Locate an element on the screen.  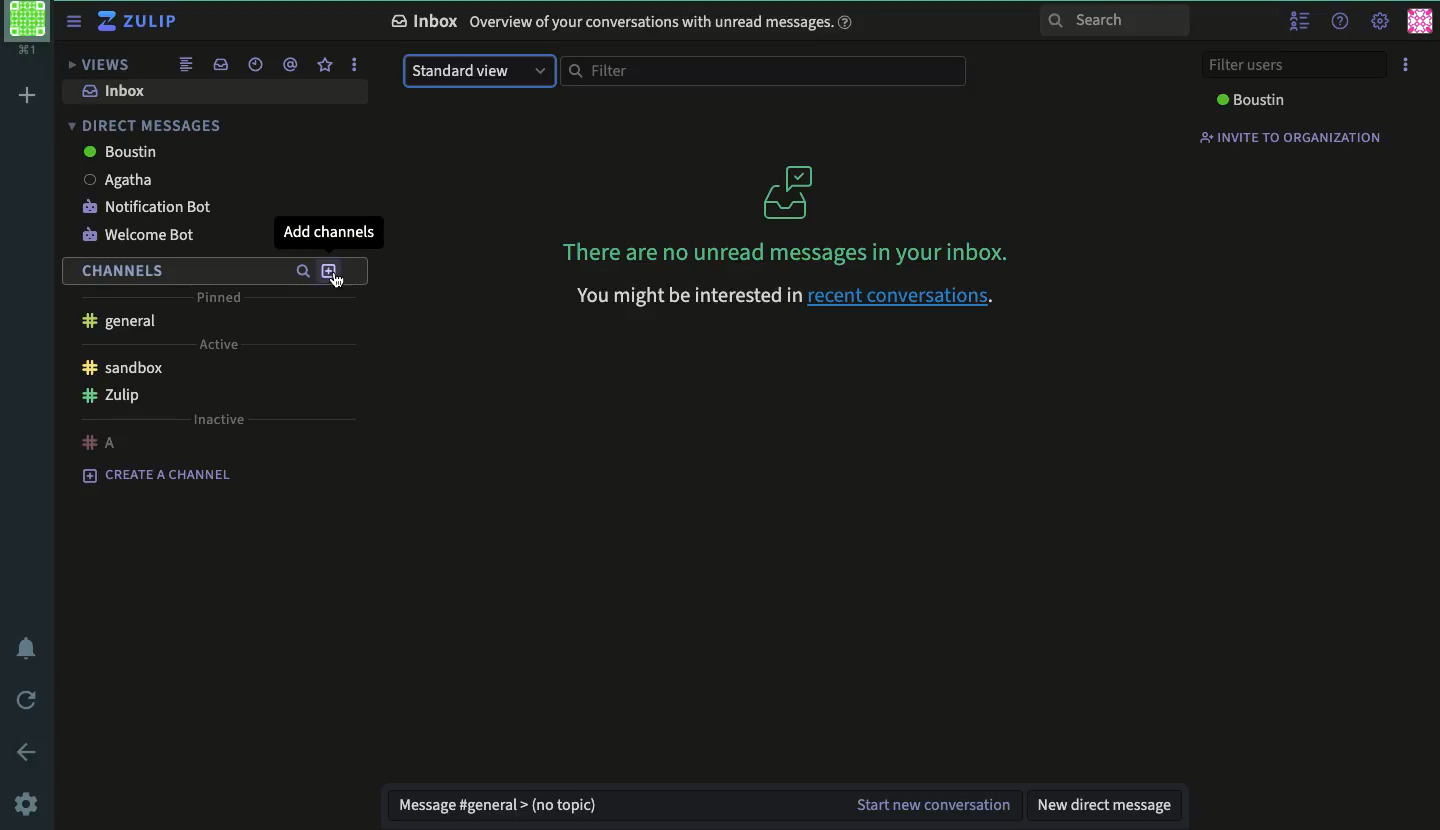
help is located at coordinates (1340, 22).